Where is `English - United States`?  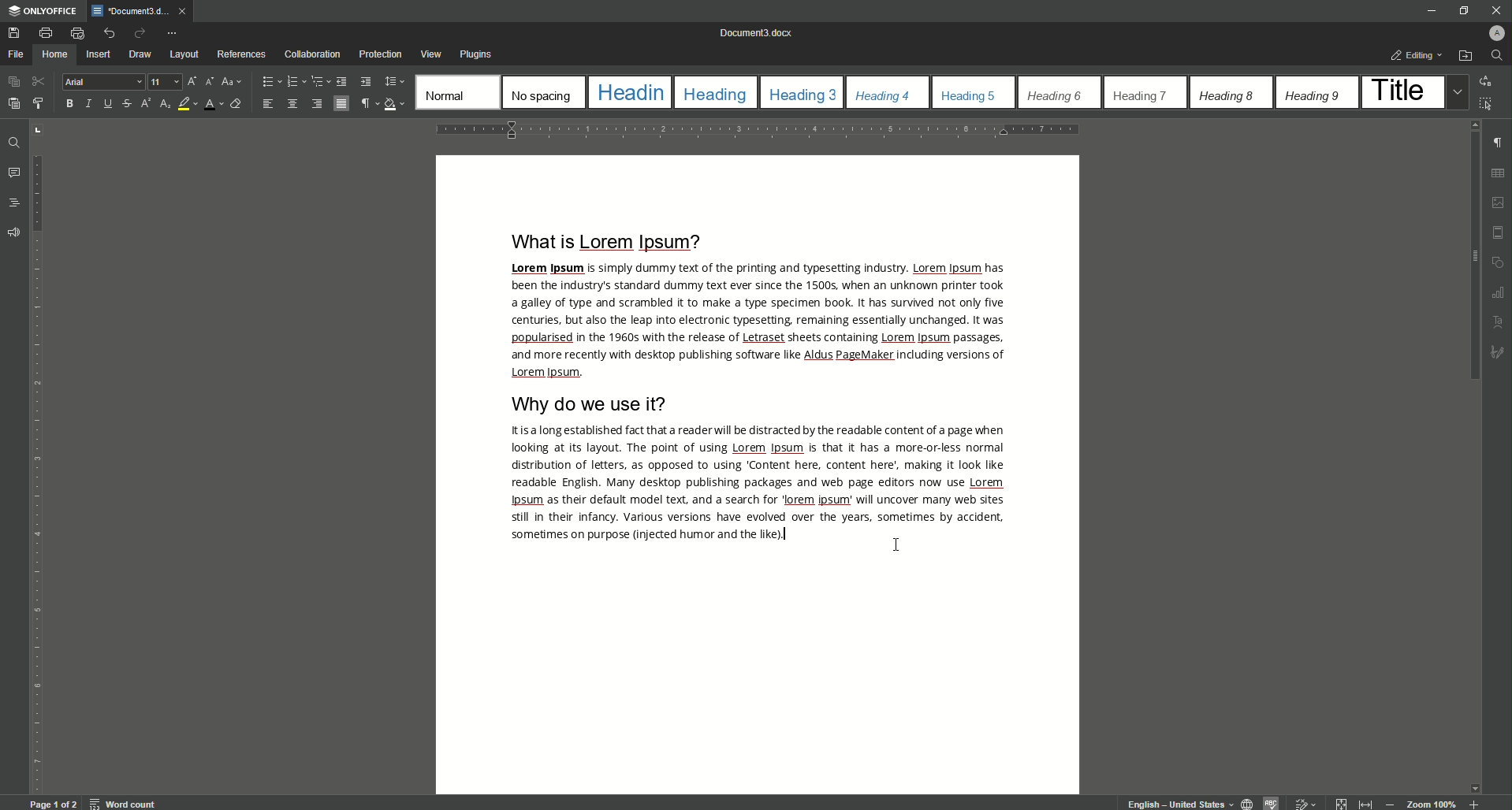 English - United States is located at coordinates (1178, 802).